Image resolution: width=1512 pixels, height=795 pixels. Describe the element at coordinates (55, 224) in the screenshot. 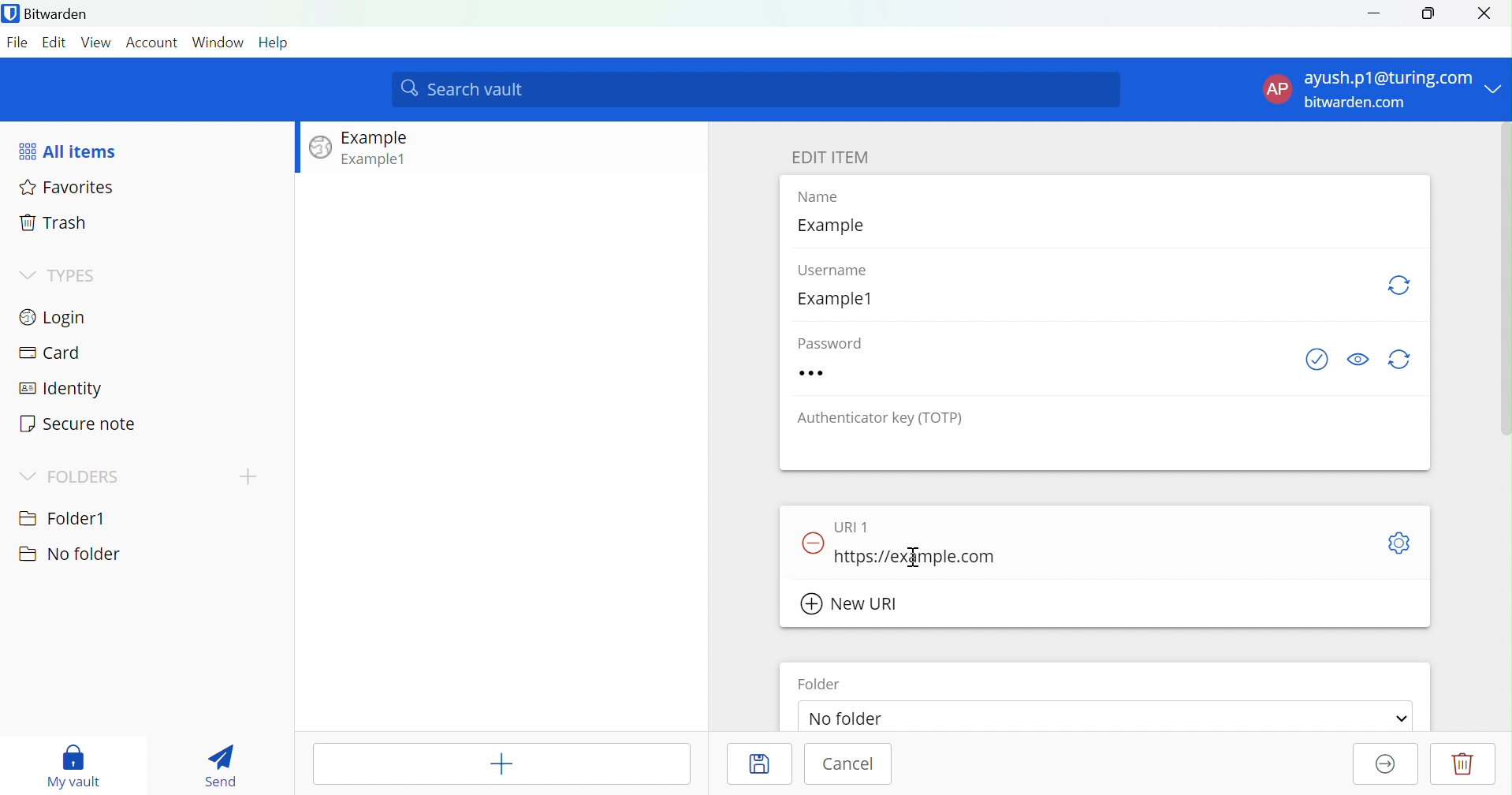

I see `Trash` at that location.